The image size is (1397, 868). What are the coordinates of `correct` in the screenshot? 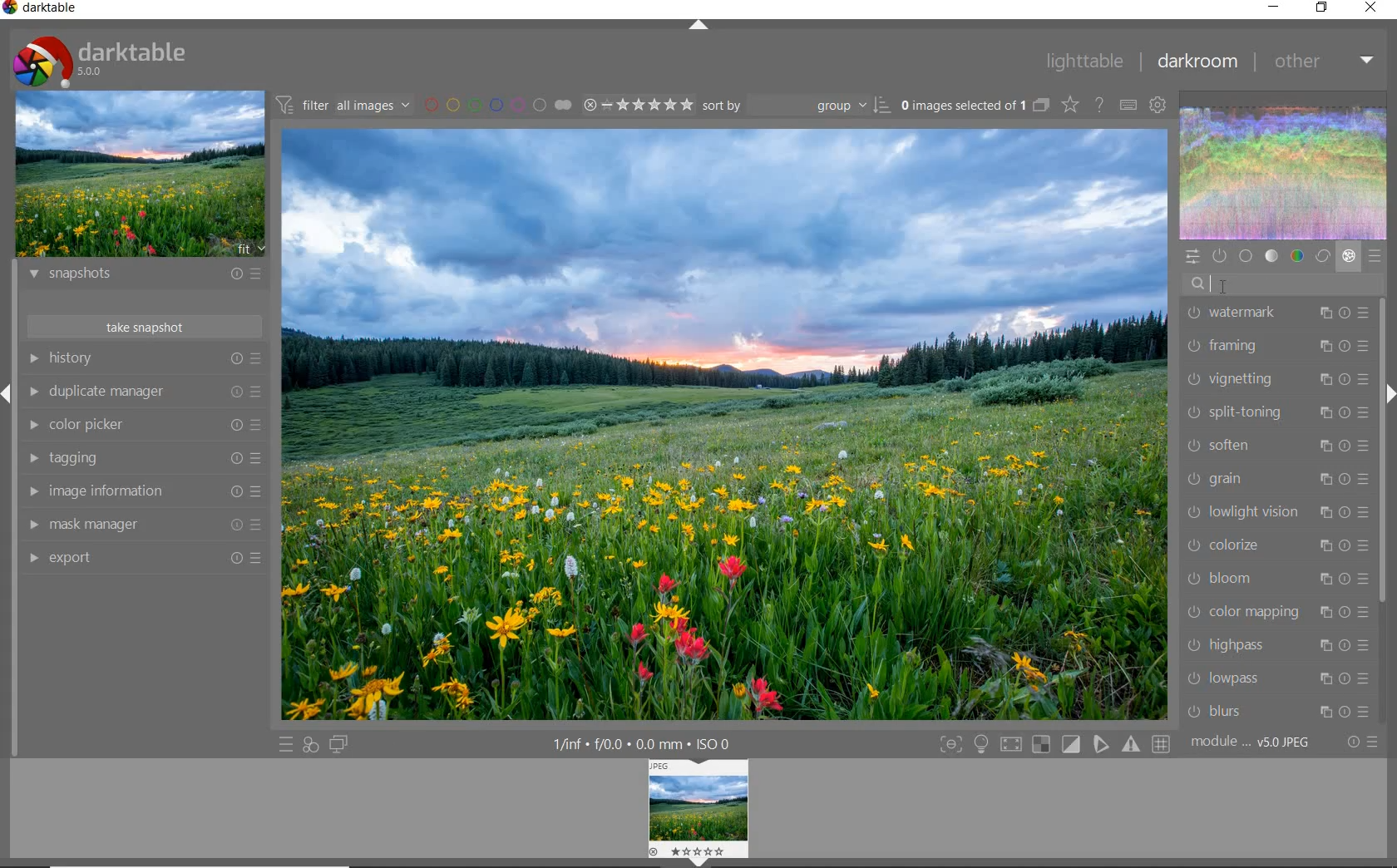 It's located at (1323, 257).